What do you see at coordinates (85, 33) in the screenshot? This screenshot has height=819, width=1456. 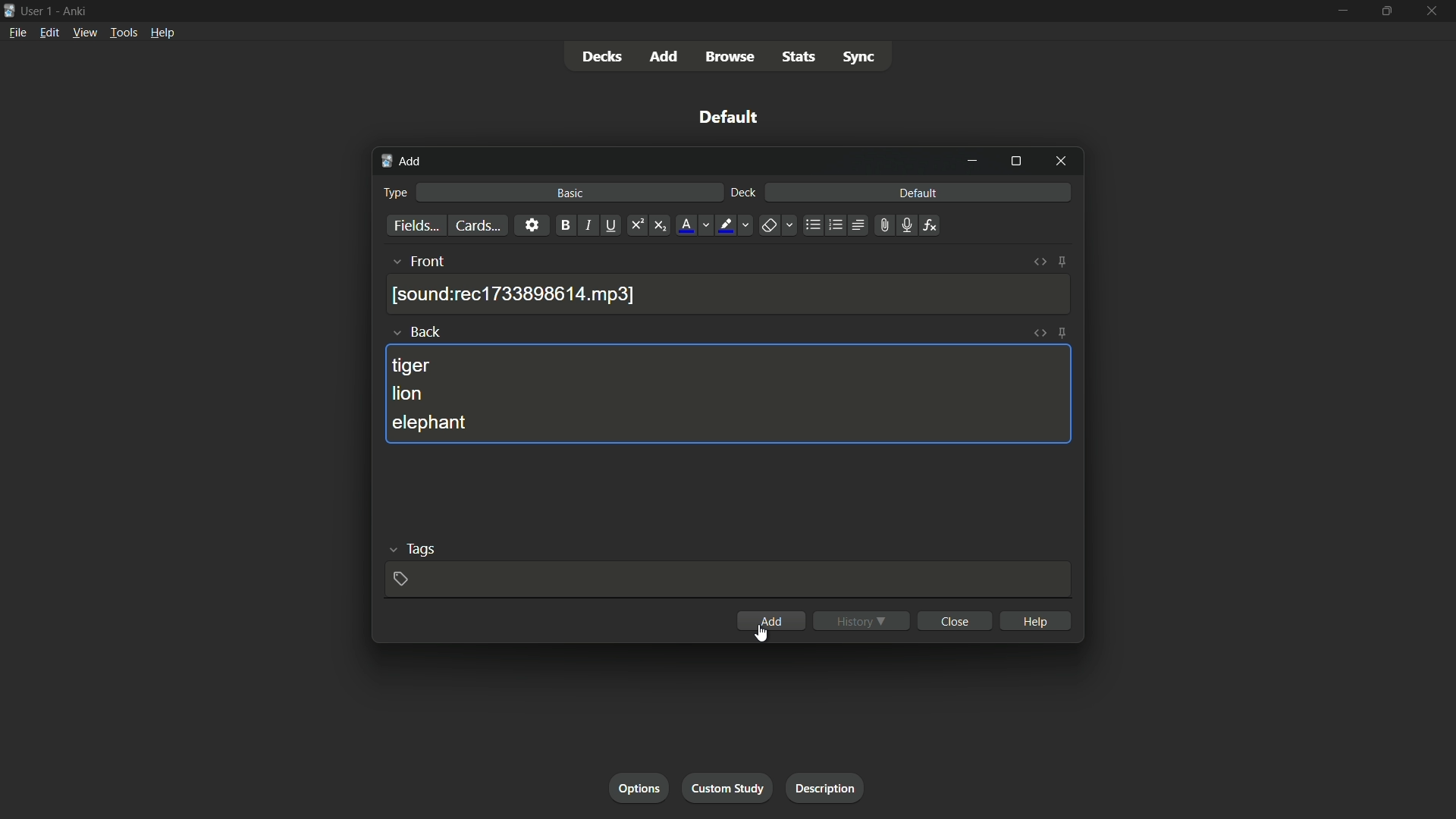 I see `view menu` at bounding box center [85, 33].